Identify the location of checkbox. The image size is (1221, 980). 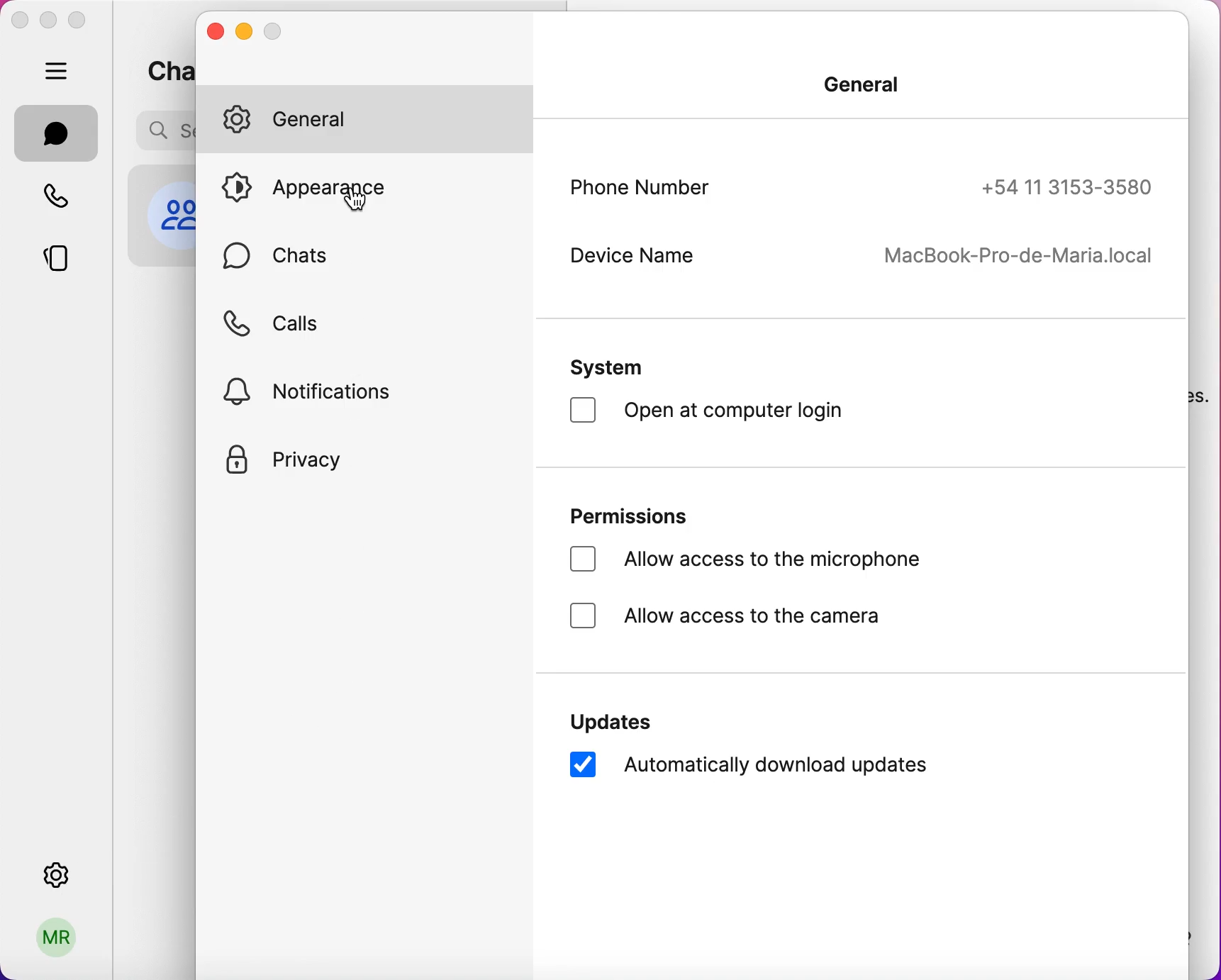
(584, 412).